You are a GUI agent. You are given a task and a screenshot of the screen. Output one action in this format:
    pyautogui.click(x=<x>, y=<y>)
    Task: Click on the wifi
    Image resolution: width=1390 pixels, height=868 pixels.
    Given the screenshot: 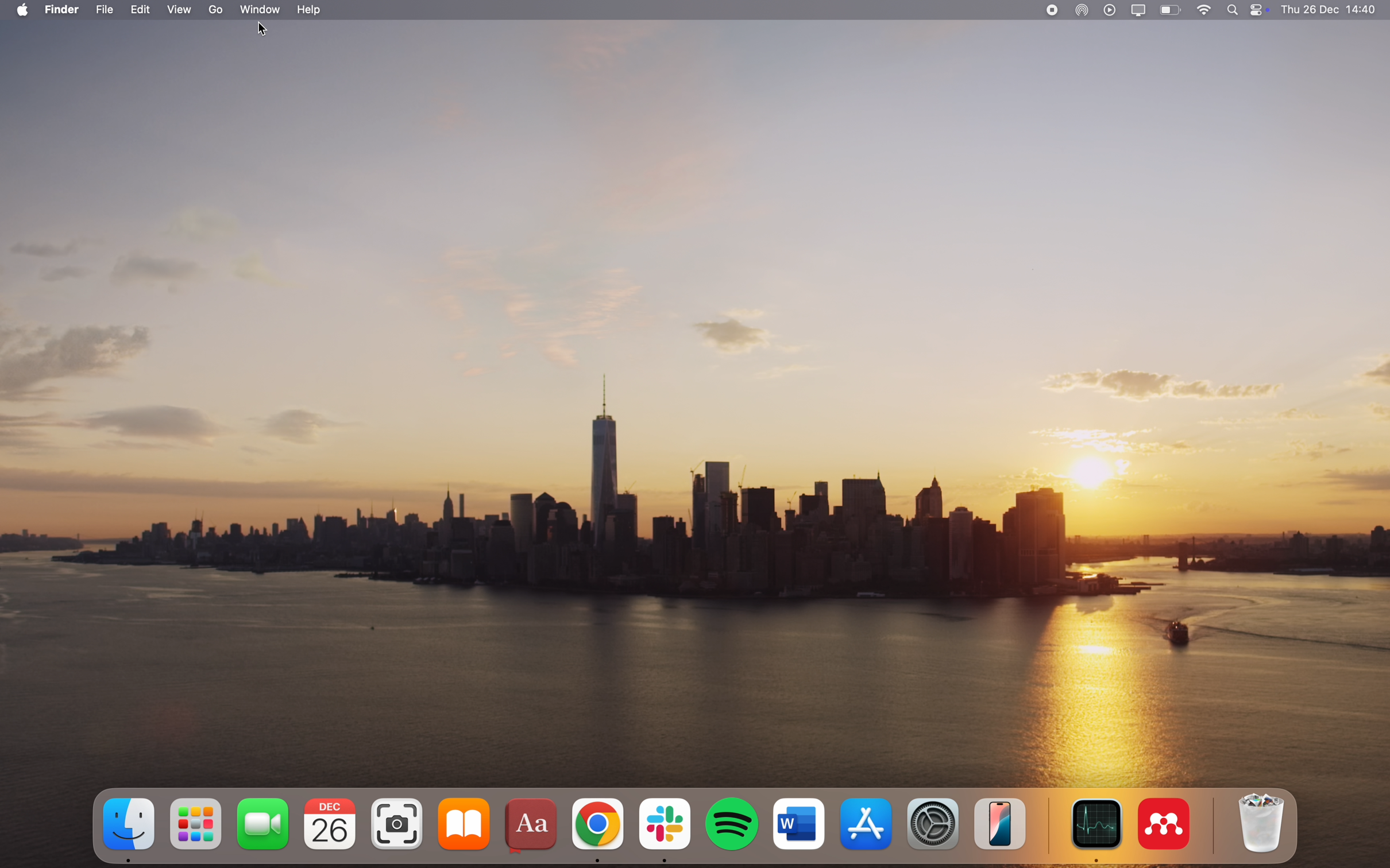 What is the action you would take?
    pyautogui.click(x=1206, y=9)
    